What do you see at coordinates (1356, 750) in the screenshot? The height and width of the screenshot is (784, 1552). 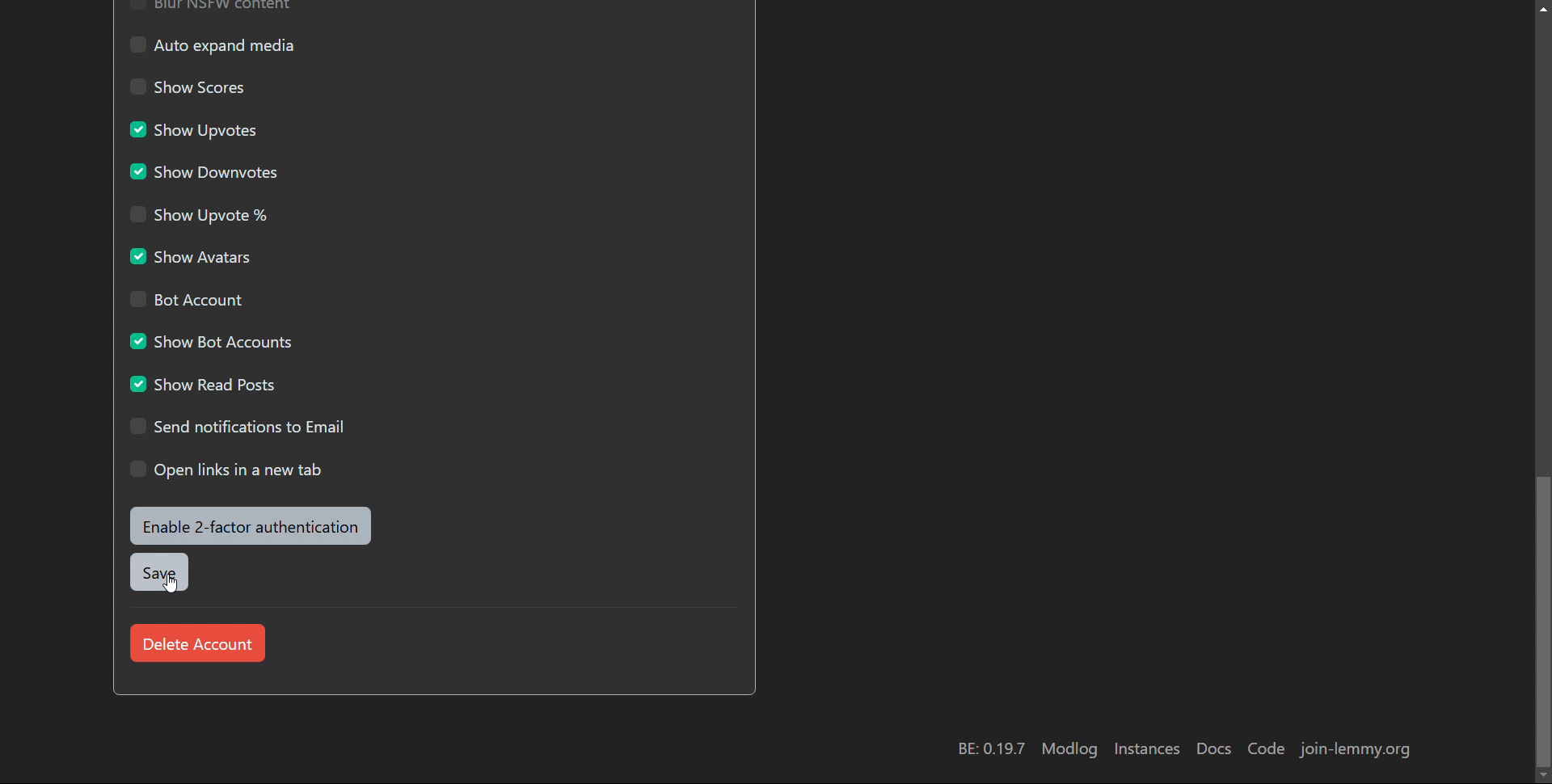 I see `join-lemmy.org` at bounding box center [1356, 750].